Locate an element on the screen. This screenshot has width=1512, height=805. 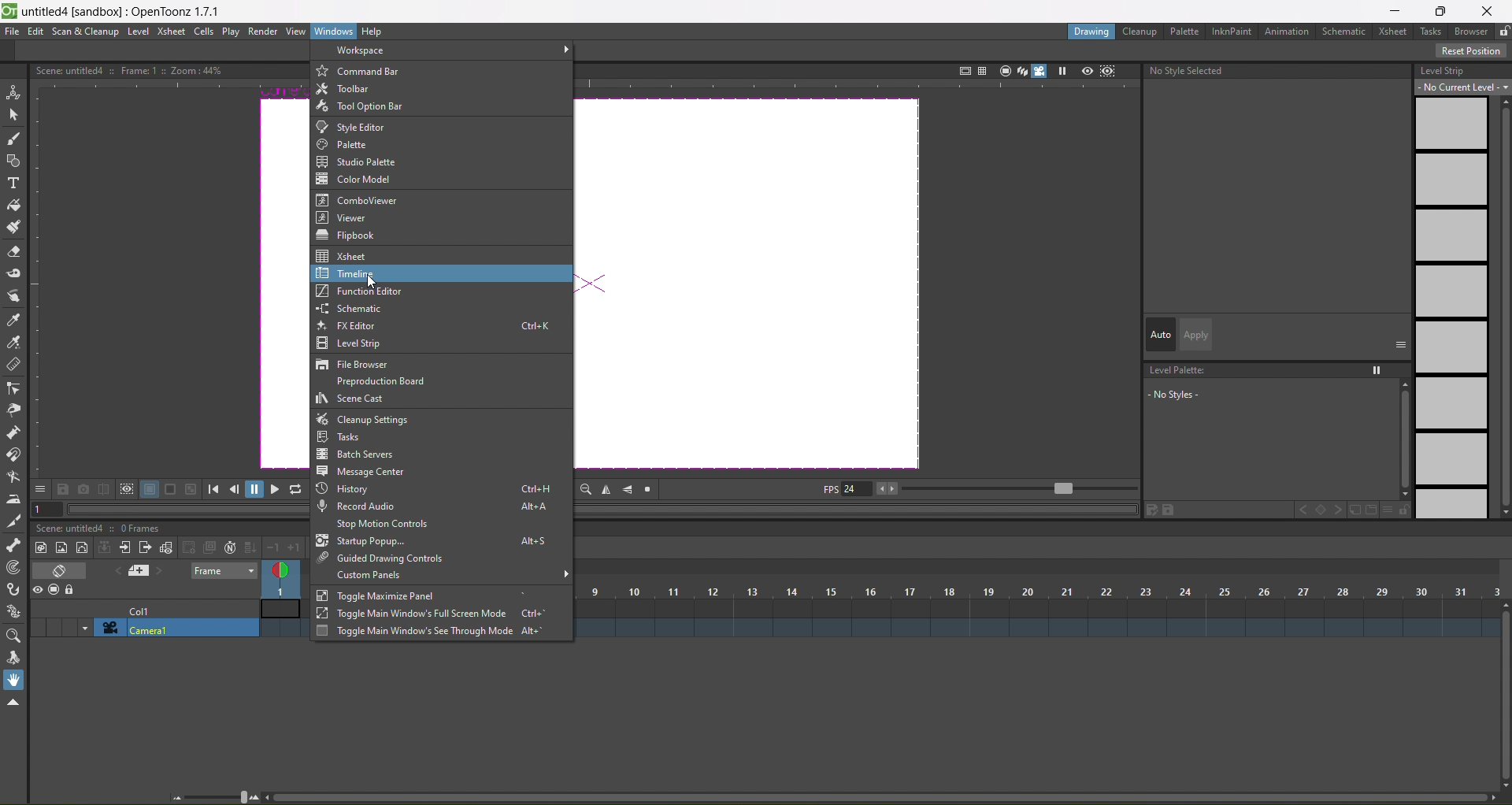
cells is located at coordinates (205, 31).